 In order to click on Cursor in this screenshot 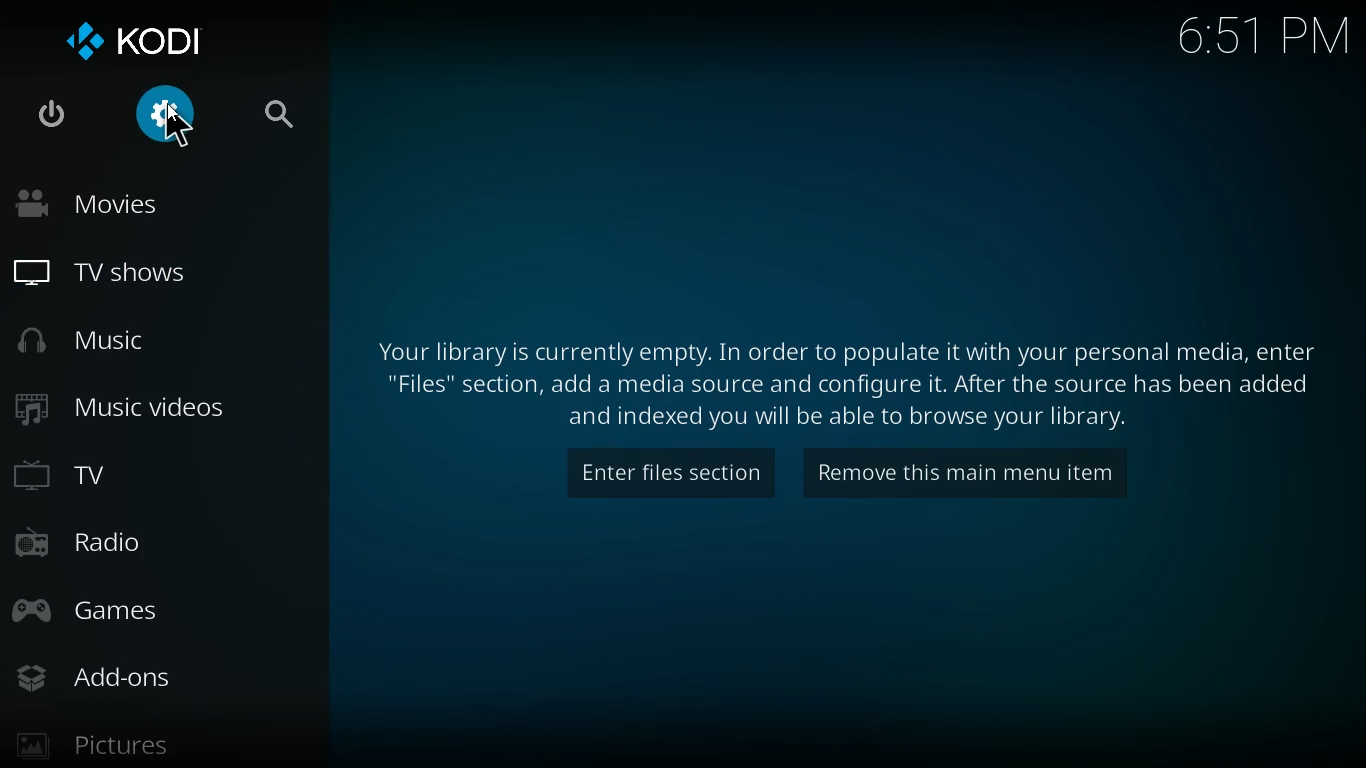, I will do `click(176, 127)`.